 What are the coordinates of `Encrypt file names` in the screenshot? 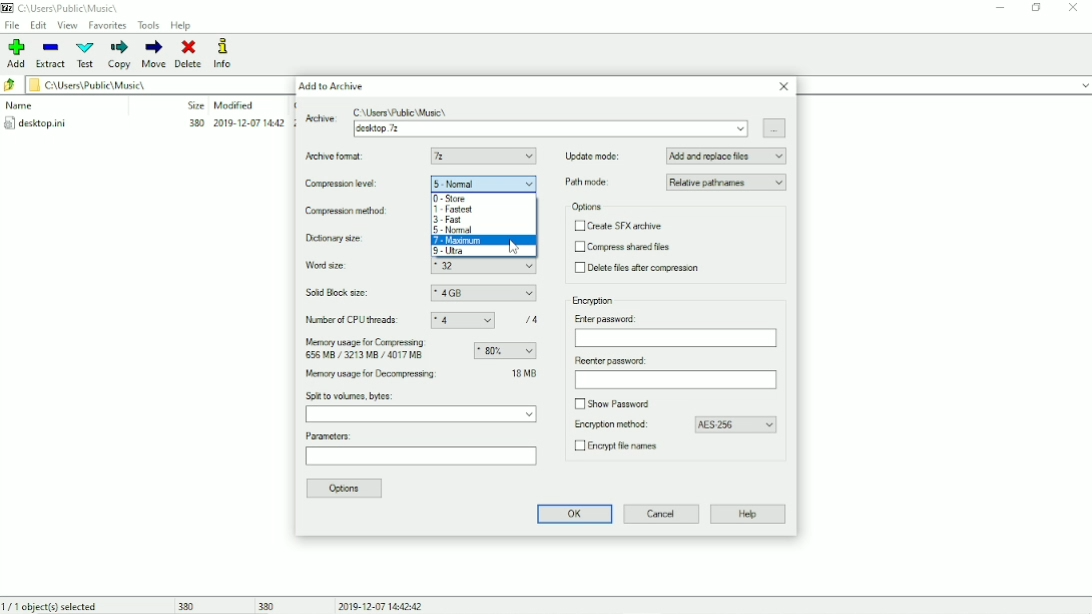 It's located at (621, 448).